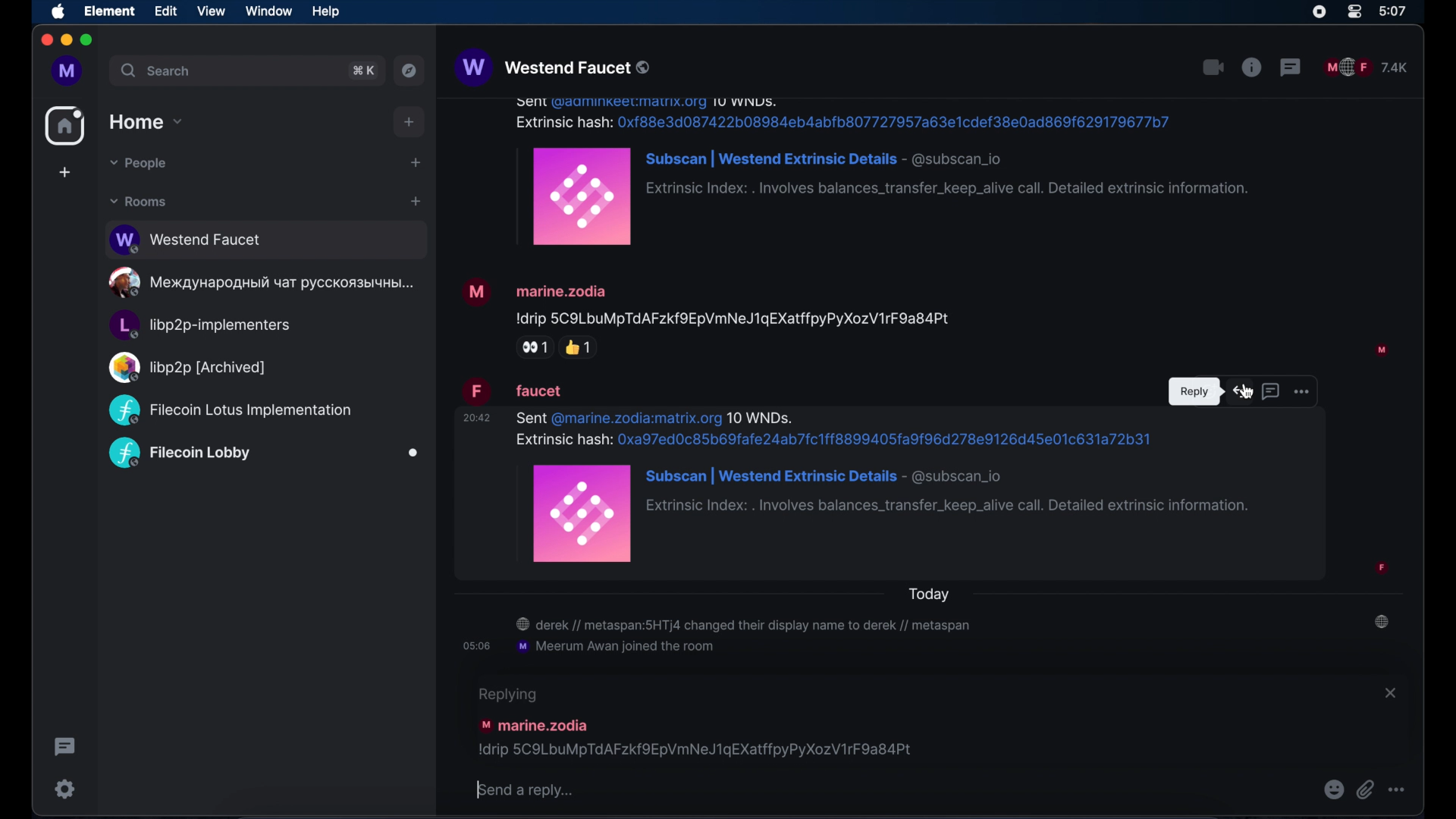 The image size is (1456, 819). I want to click on thread activity, so click(64, 747).